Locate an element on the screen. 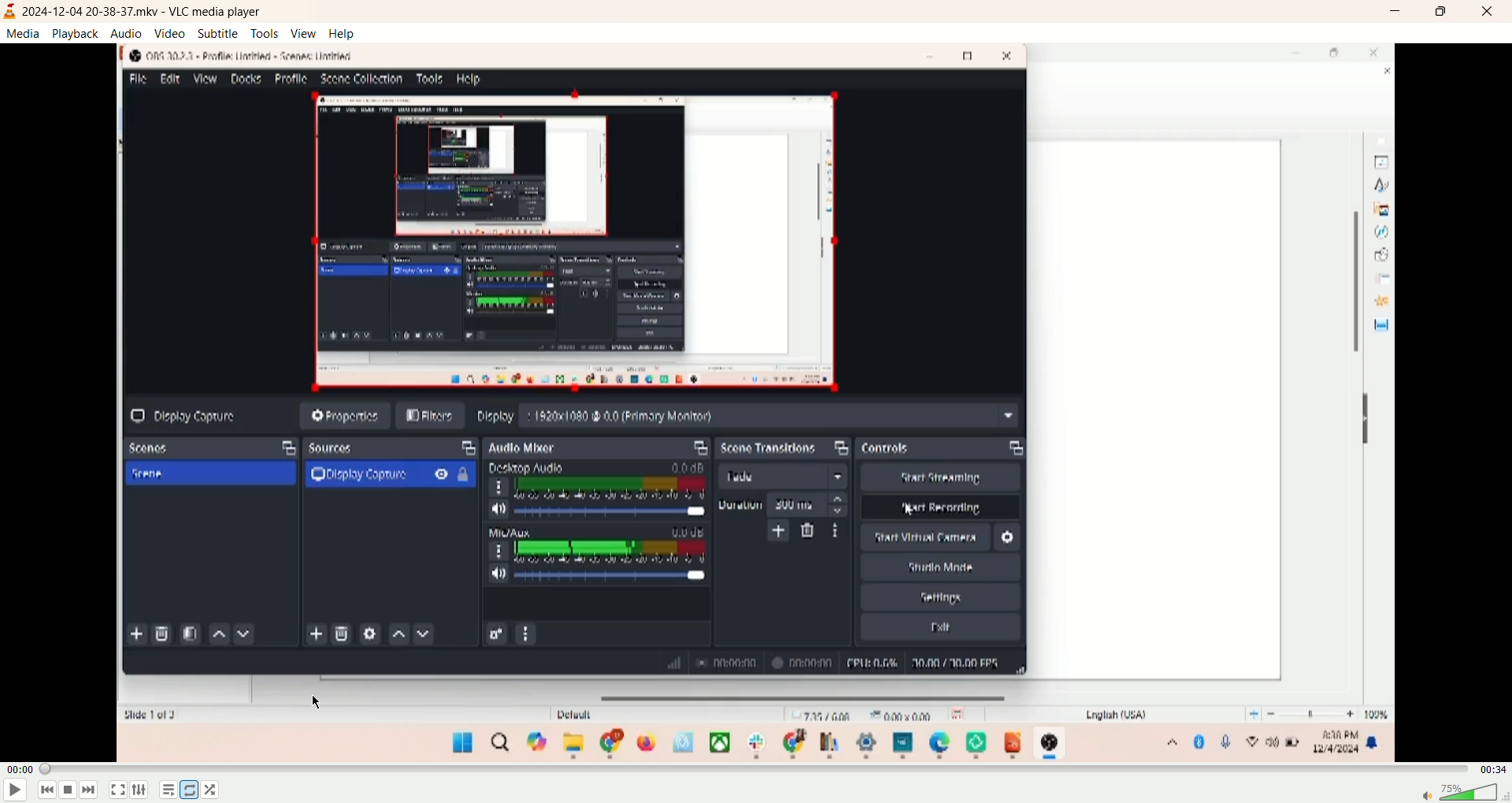 The height and width of the screenshot is (803, 1512). help is located at coordinates (343, 34).